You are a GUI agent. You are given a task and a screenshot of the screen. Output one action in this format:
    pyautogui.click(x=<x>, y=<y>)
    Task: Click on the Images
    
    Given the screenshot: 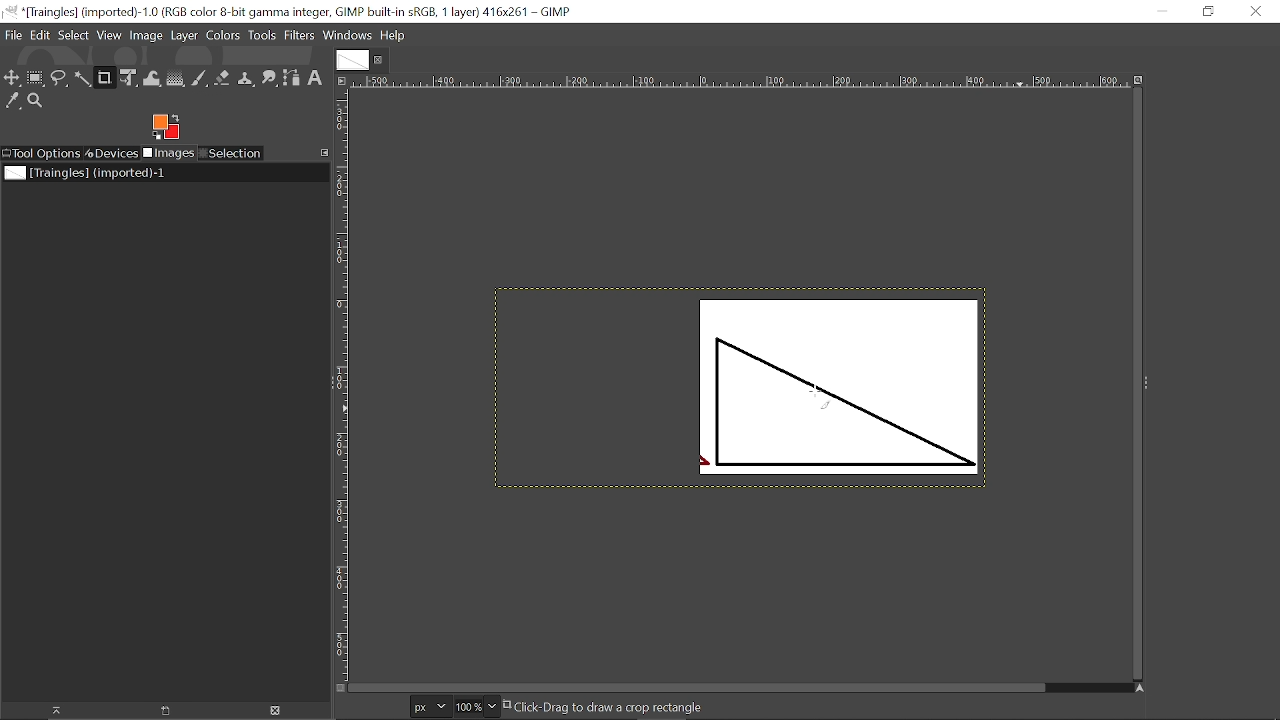 What is the action you would take?
    pyautogui.click(x=168, y=153)
    